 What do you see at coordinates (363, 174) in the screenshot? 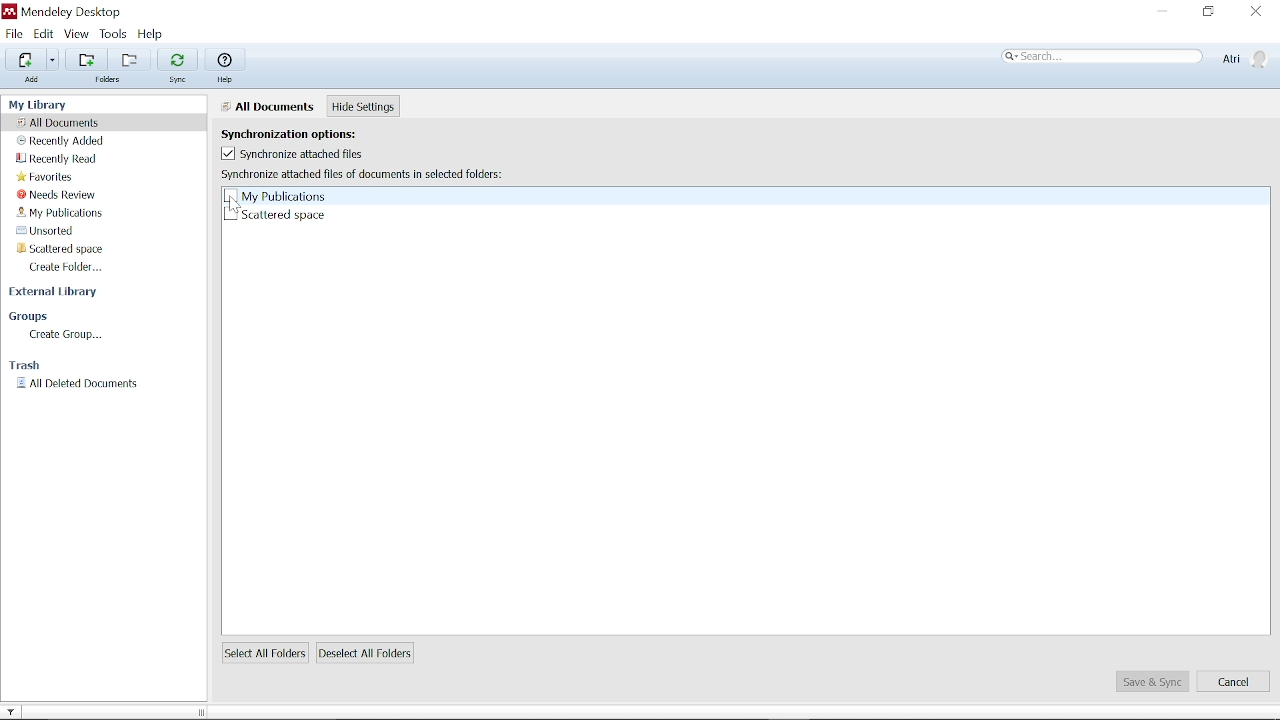
I see `‘synchronize attached files of documents in selected folders:` at bounding box center [363, 174].